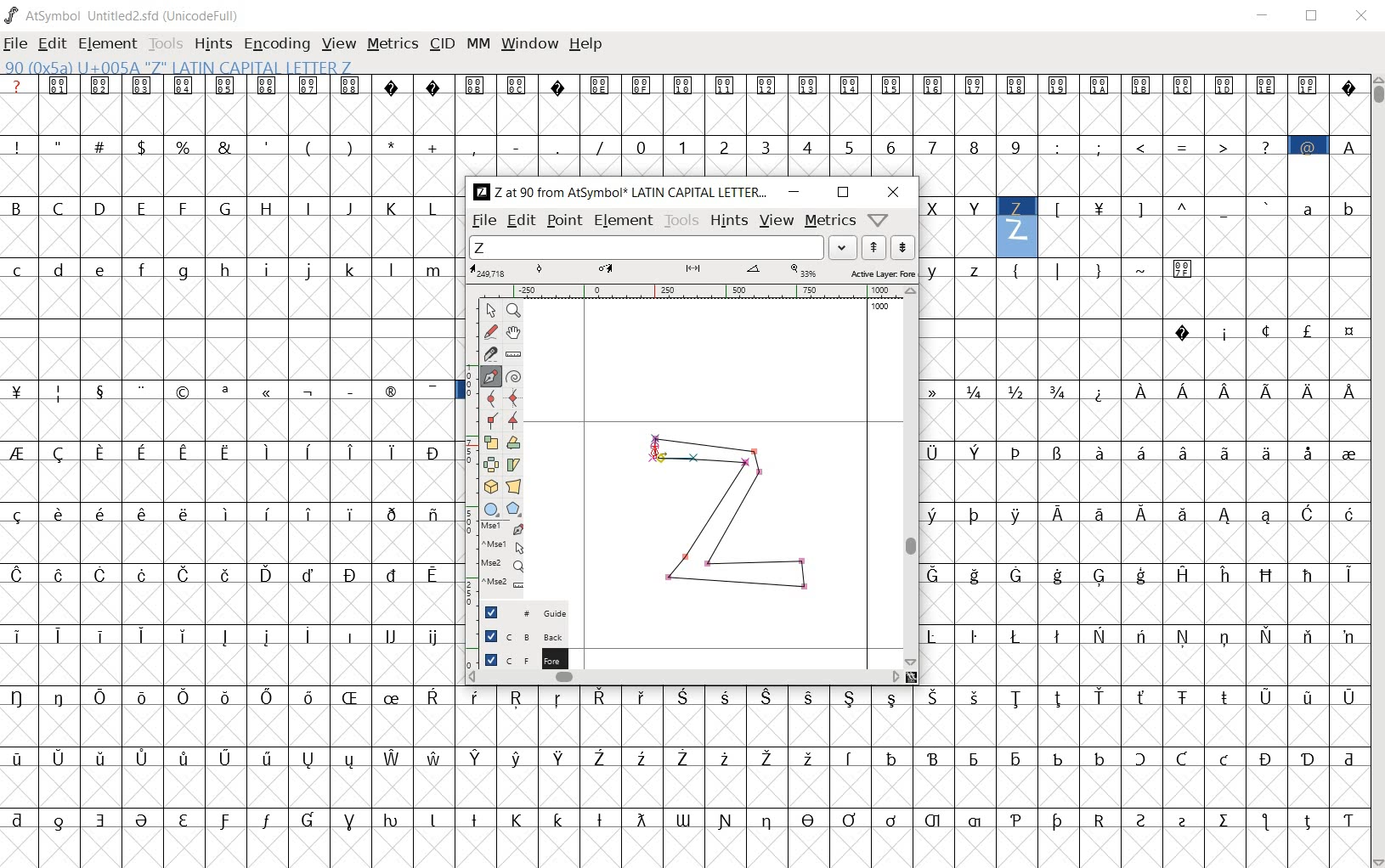  I want to click on edit, so click(54, 45).